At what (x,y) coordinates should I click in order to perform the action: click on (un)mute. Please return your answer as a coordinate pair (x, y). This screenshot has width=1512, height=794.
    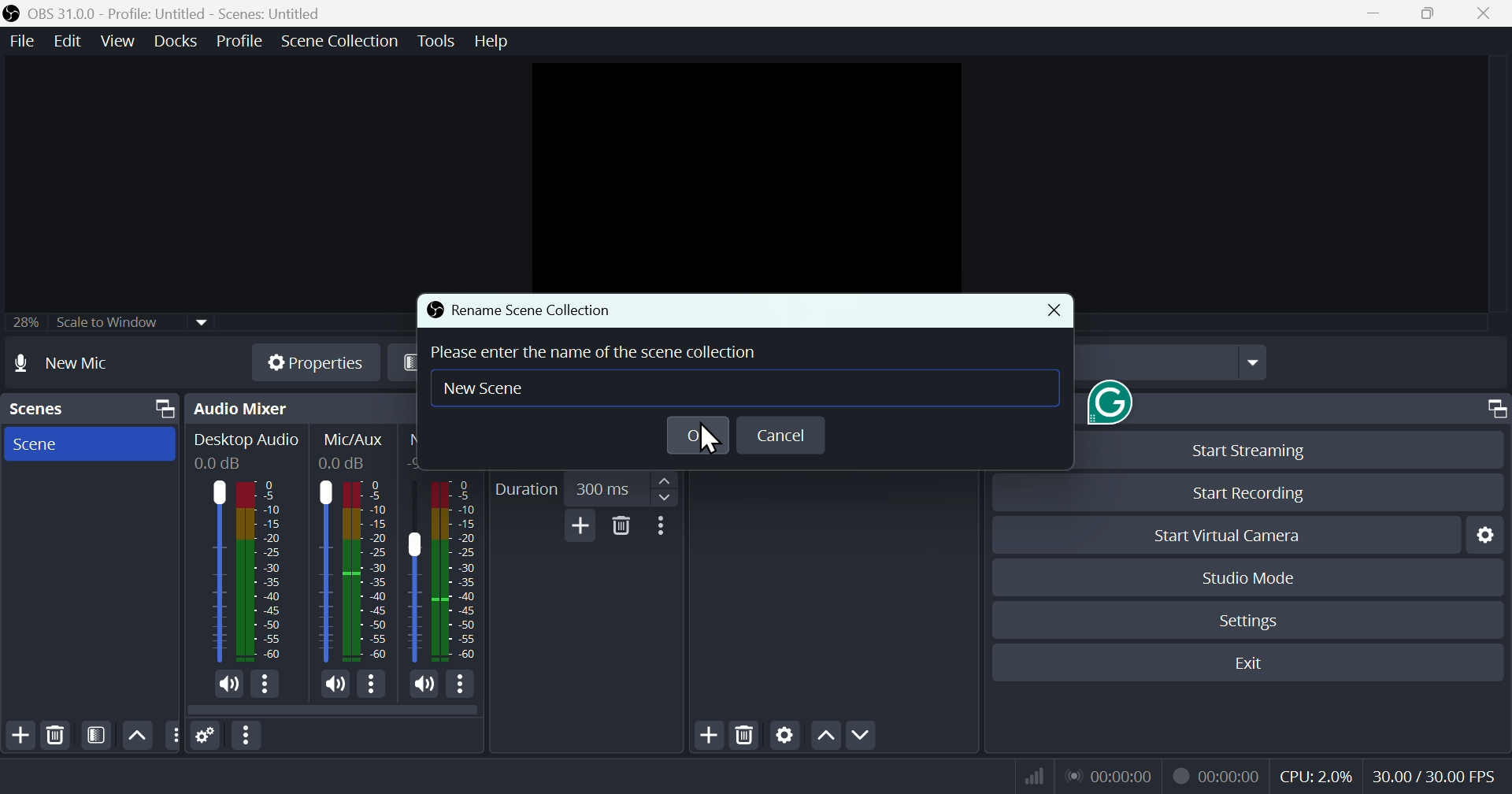
    Looking at the image, I should click on (229, 685).